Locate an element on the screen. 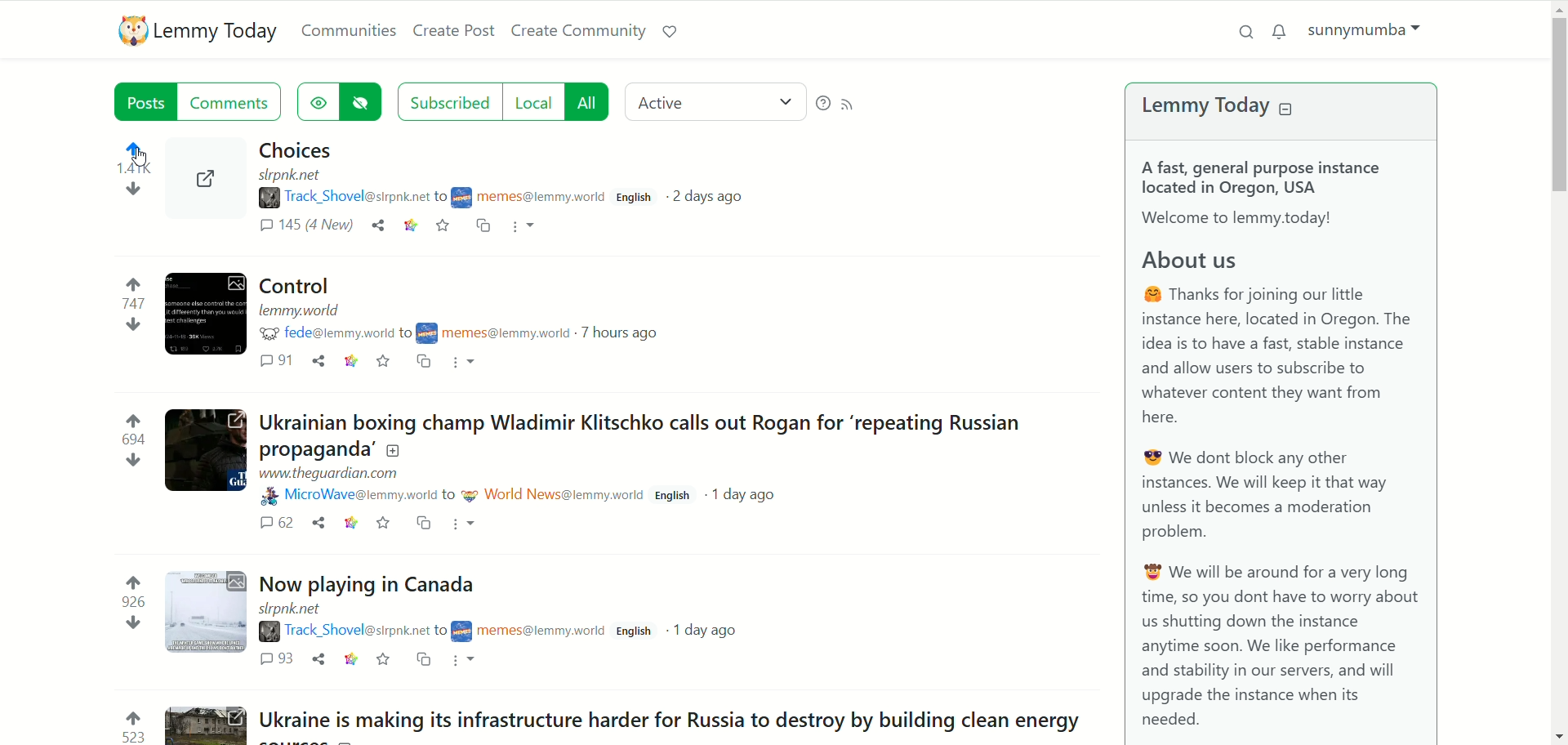 This screenshot has height=745, width=1568. link is located at coordinates (410, 225).